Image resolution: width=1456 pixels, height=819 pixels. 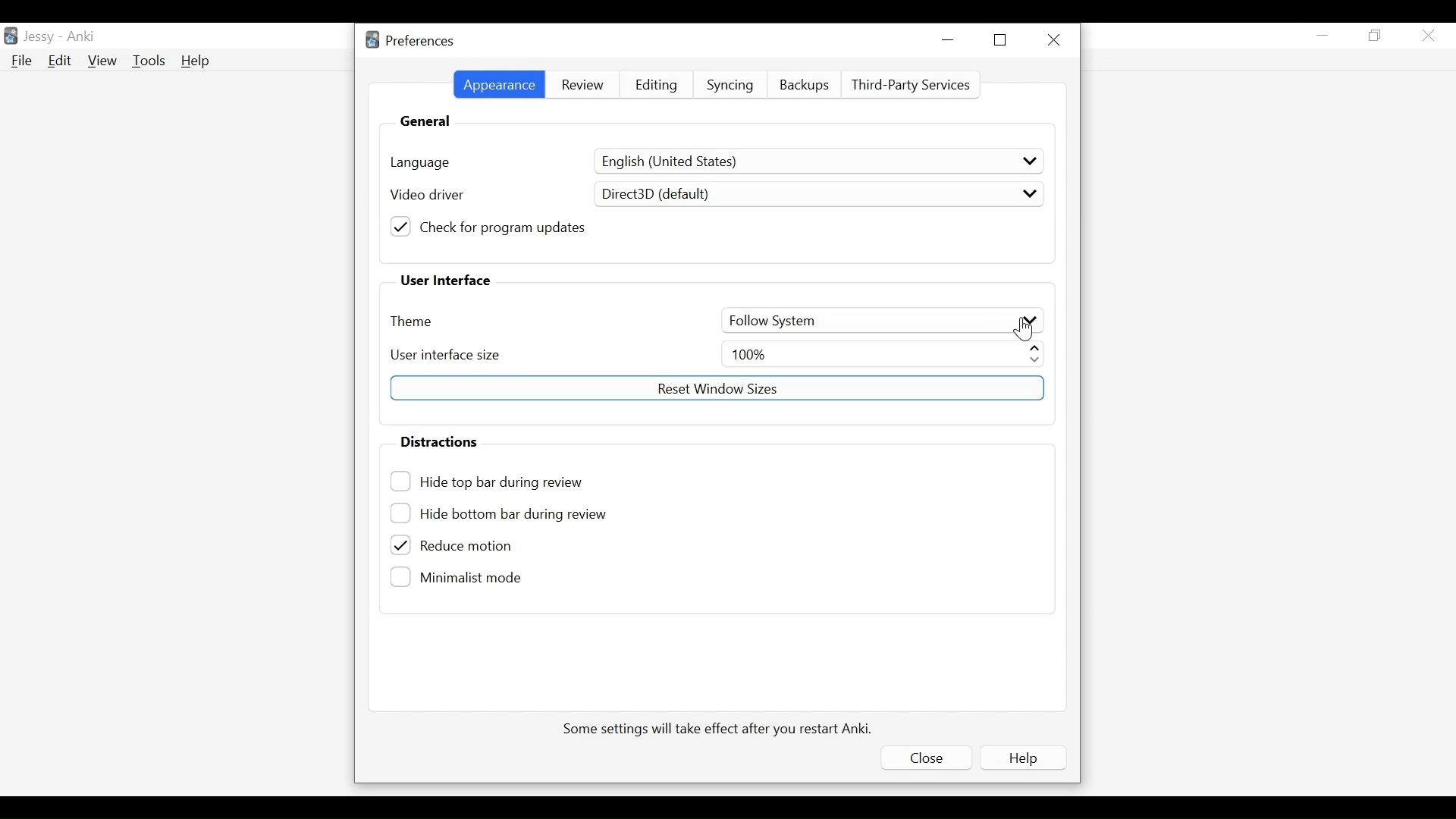 I want to click on (un)select minimalist mode, so click(x=460, y=577).